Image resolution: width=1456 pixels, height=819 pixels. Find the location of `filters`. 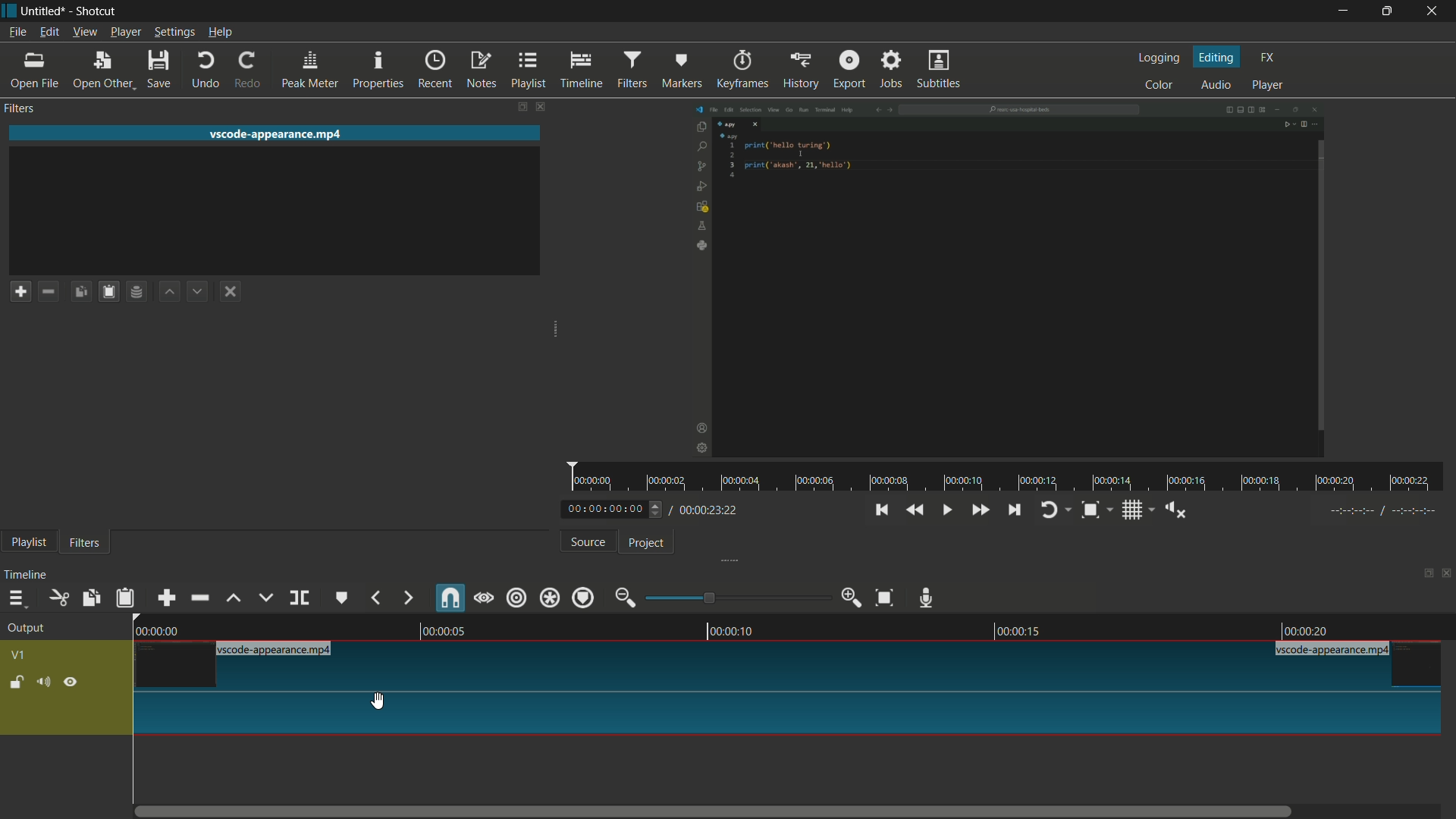

filters is located at coordinates (20, 109).